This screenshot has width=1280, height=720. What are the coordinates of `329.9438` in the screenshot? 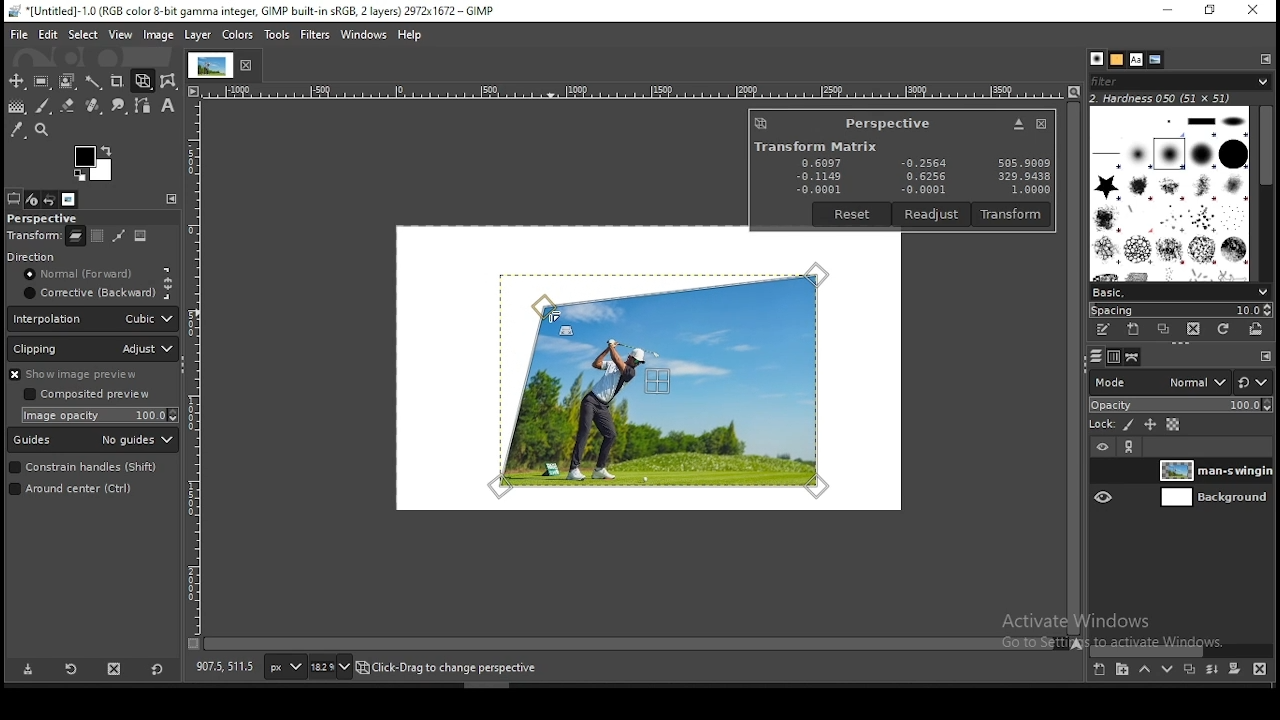 It's located at (1025, 177).